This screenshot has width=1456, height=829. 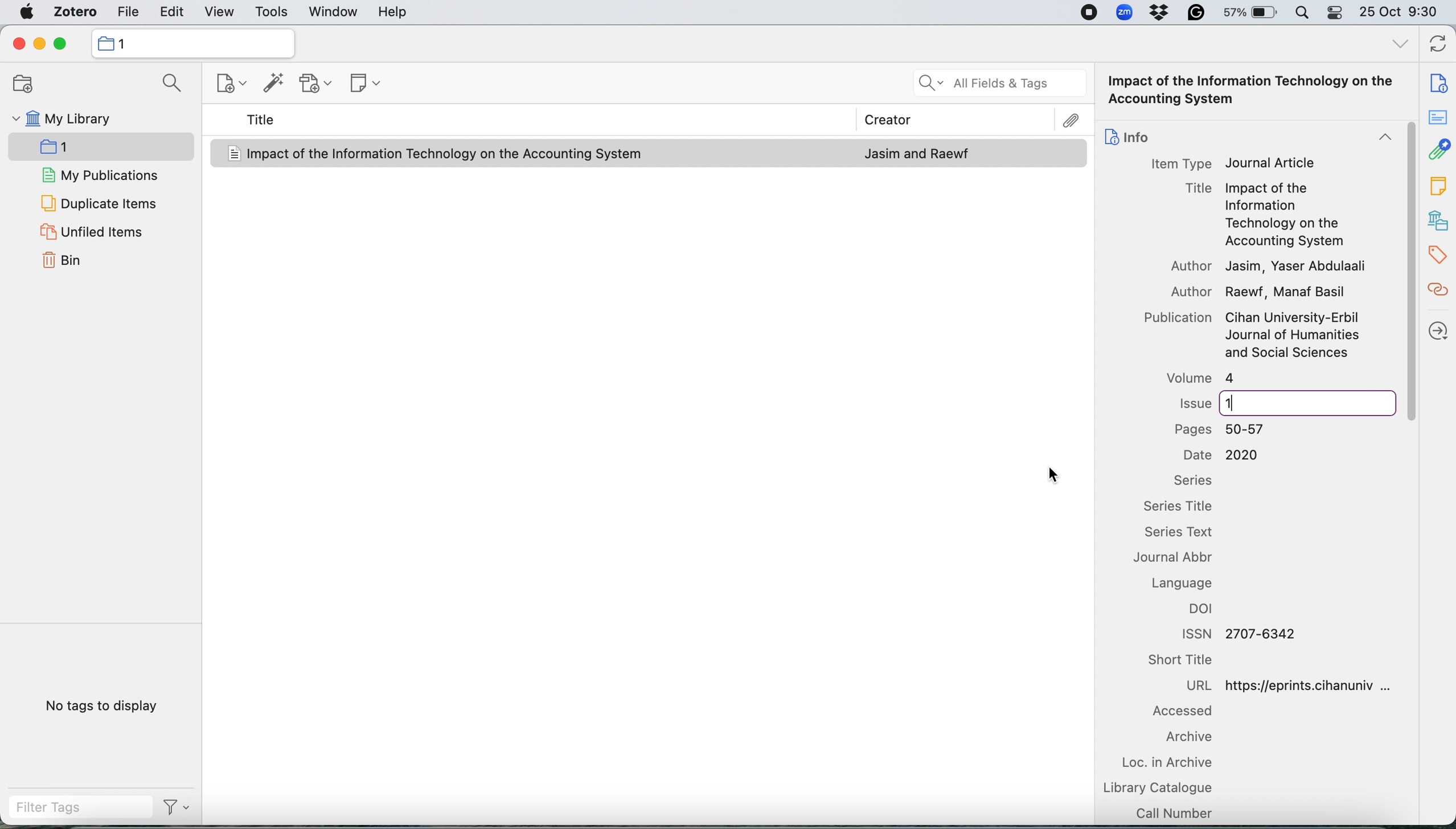 I want to click on minimise, so click(x=39, y=43).